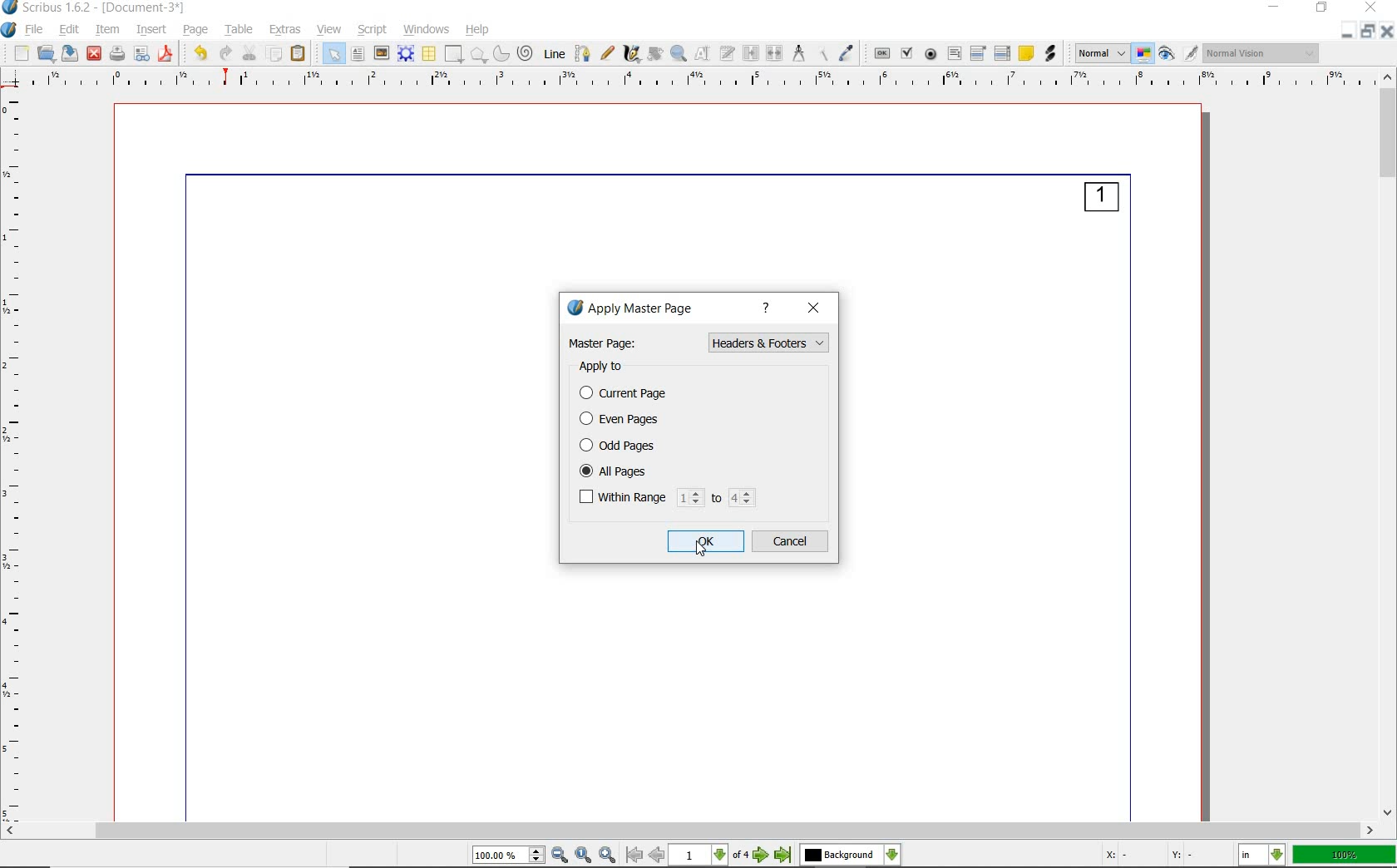 The image size is (1397, 868). What do you see at coordinates (1100, 55) in the screenshot?
I see `select image preview mode` at bounding box center [1100, 55].